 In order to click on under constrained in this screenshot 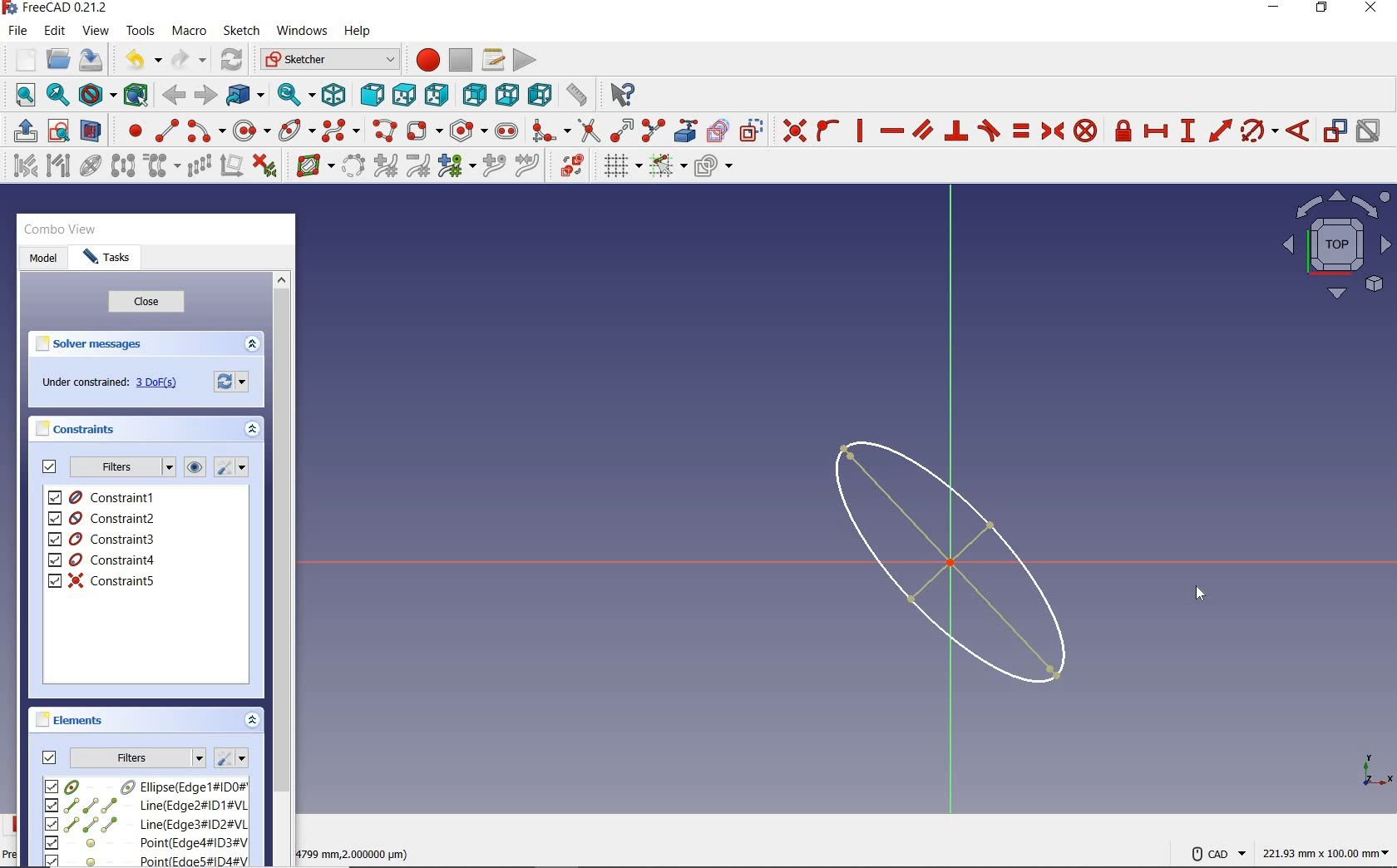, I will do `click(114, 383)`.